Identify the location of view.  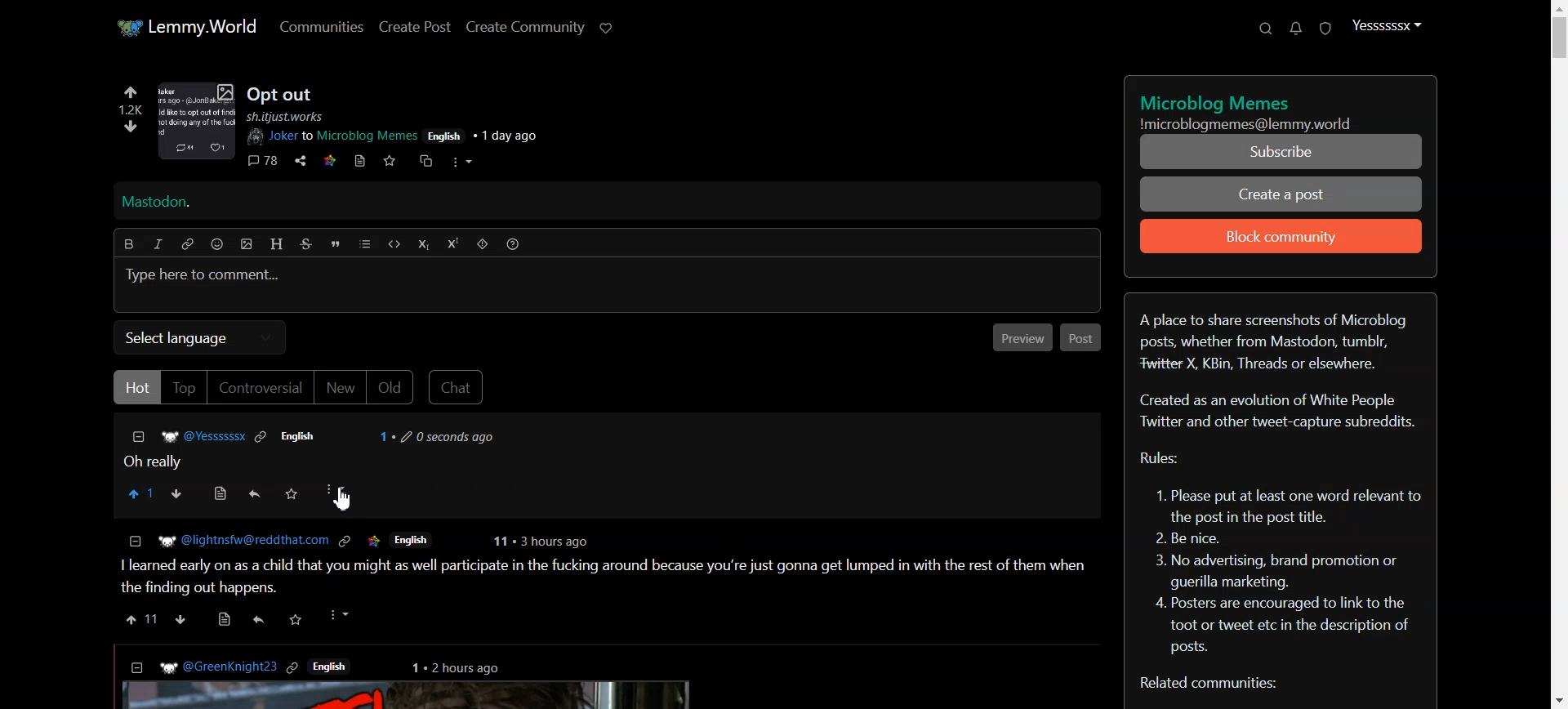
(224, 618).